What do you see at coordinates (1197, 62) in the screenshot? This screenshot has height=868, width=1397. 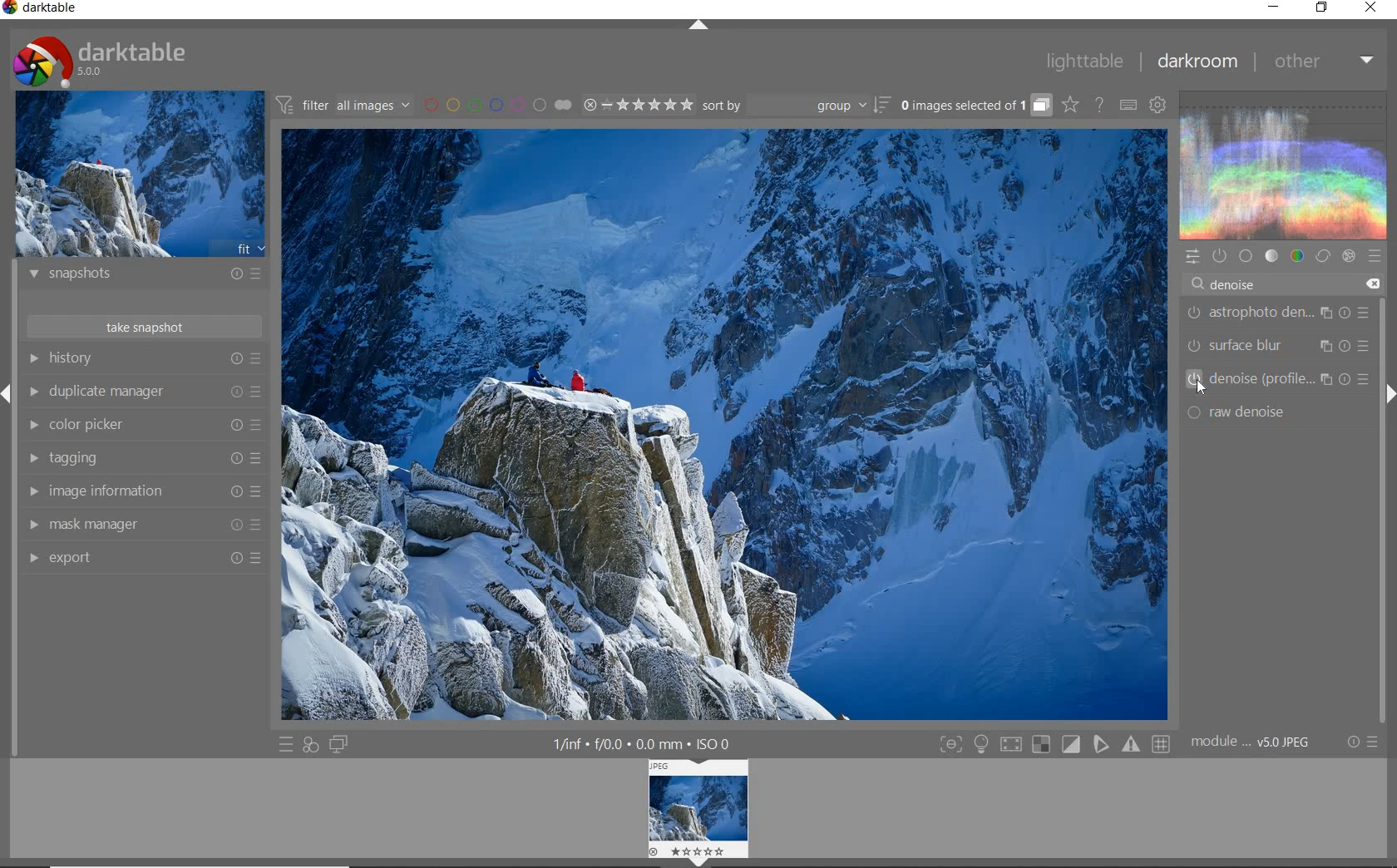 I see `darkroom` at bounding box center [1197, 62].